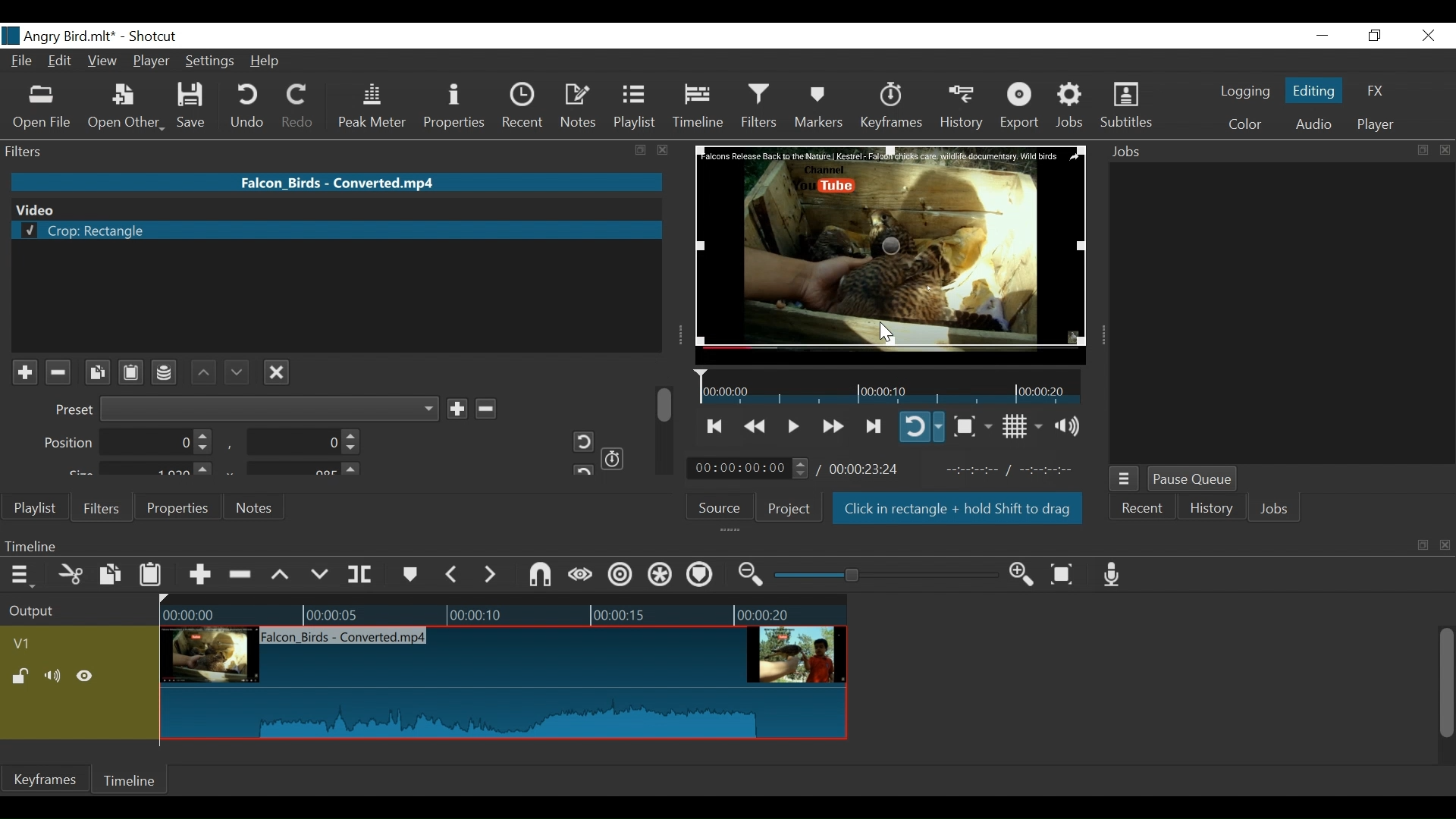 The image size is (1456, 819). Describe the element at coordinates (962, 107) in the screenshot. I see `History` at that location.